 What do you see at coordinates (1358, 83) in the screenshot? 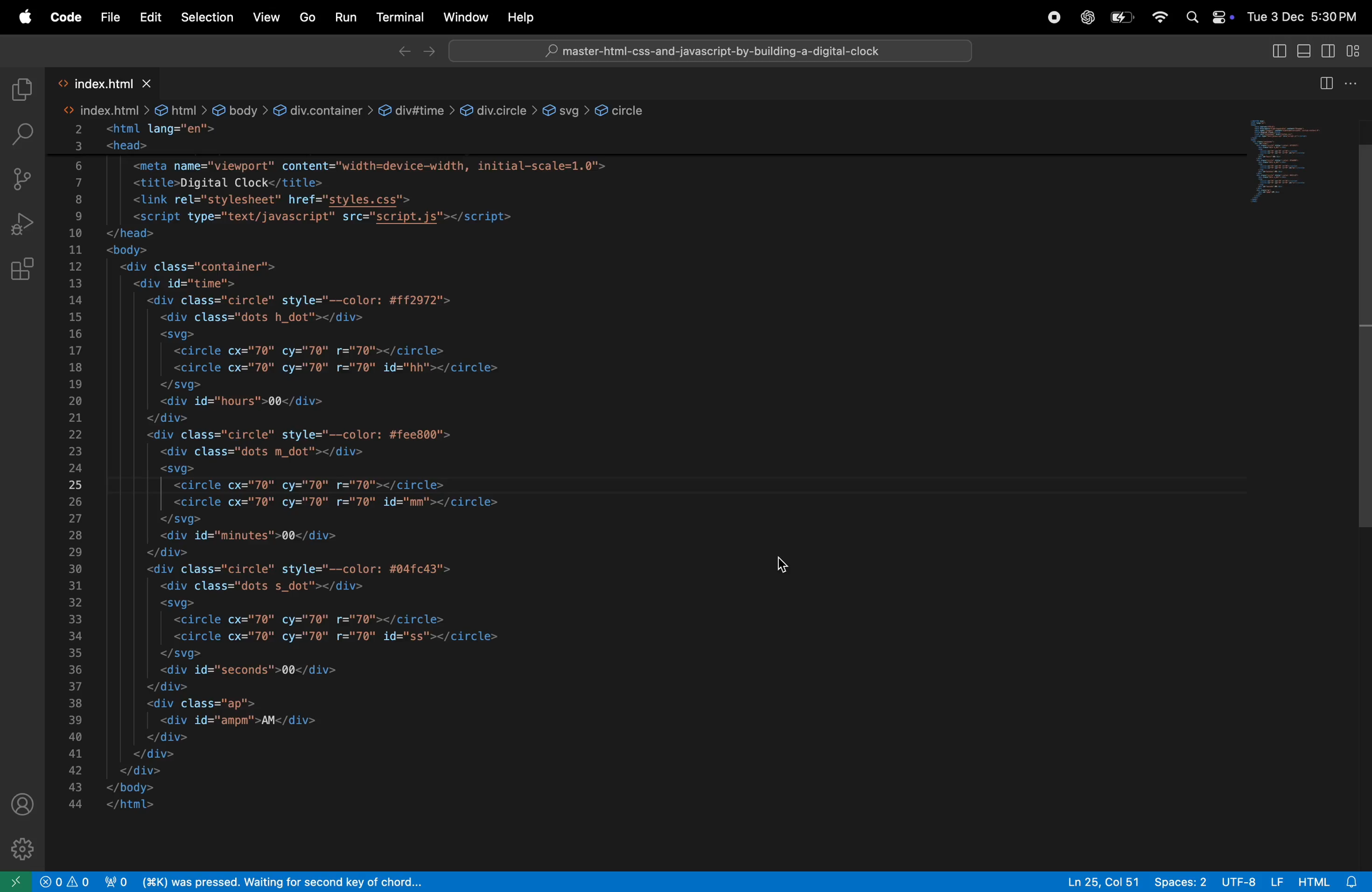
I see `More actions` at bounding box center [1358, 83].